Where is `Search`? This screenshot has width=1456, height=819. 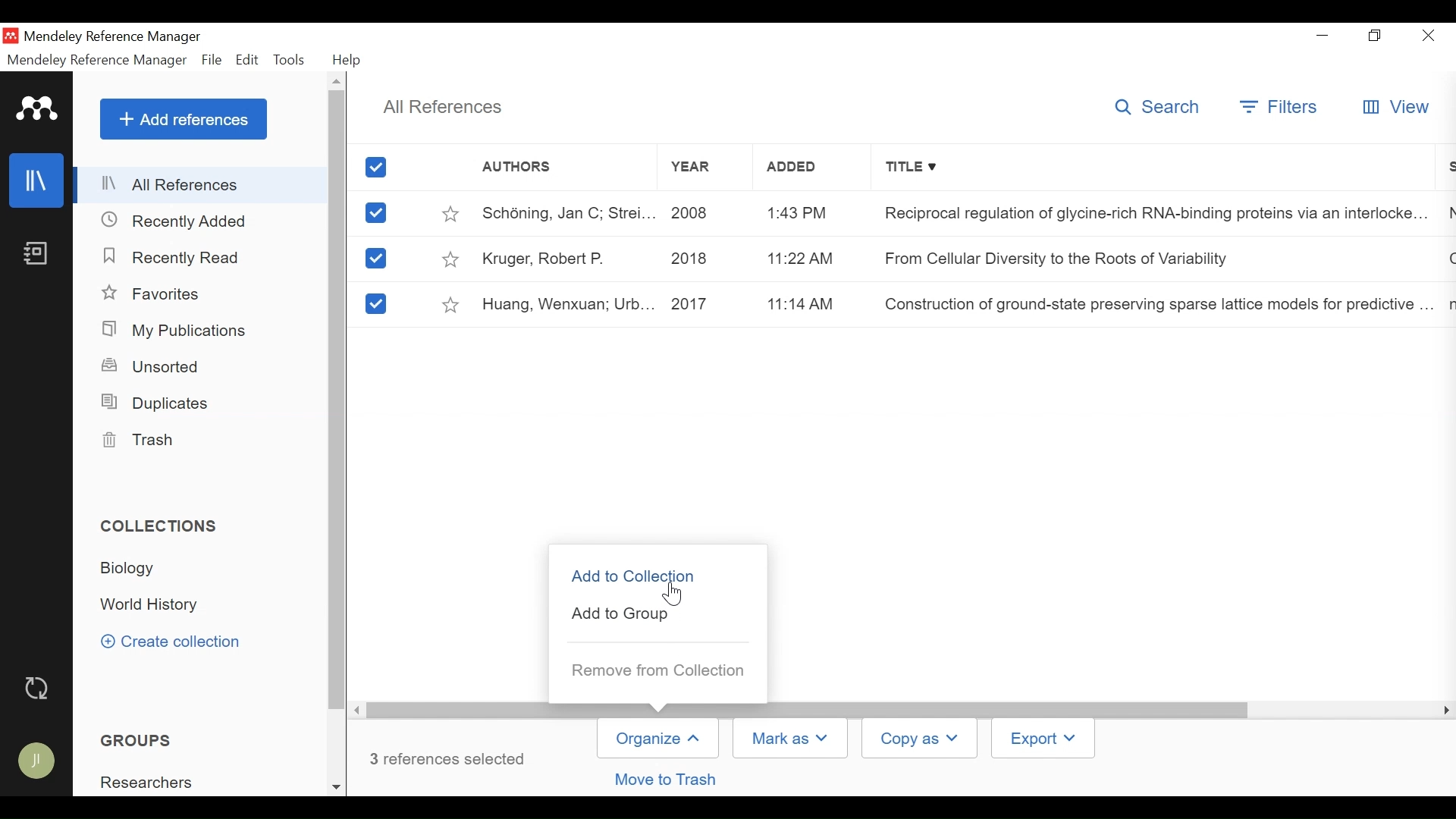
Search is located at coordinates (1161, 109).